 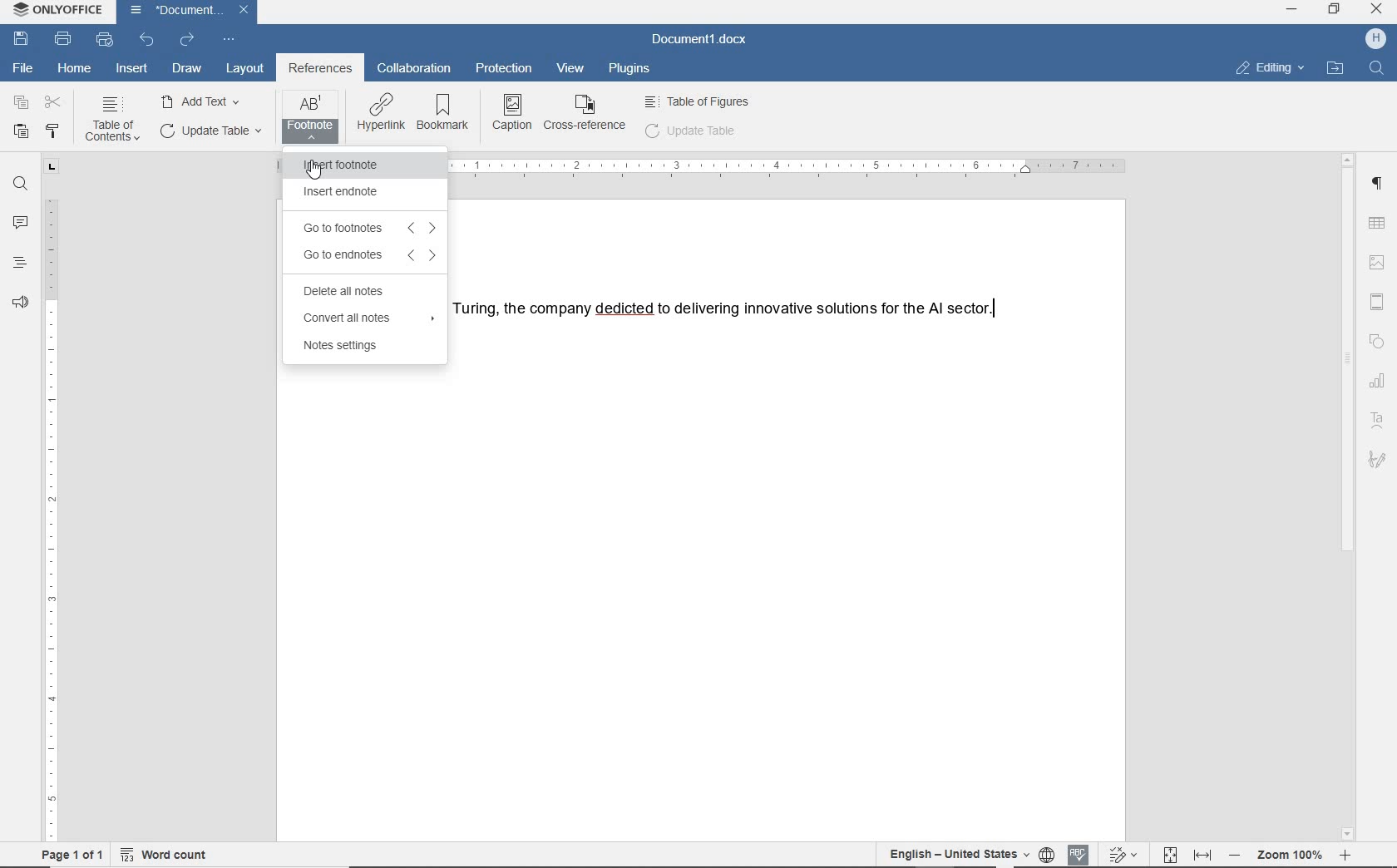 I want to click on copy style, so click(x=54, y=132).